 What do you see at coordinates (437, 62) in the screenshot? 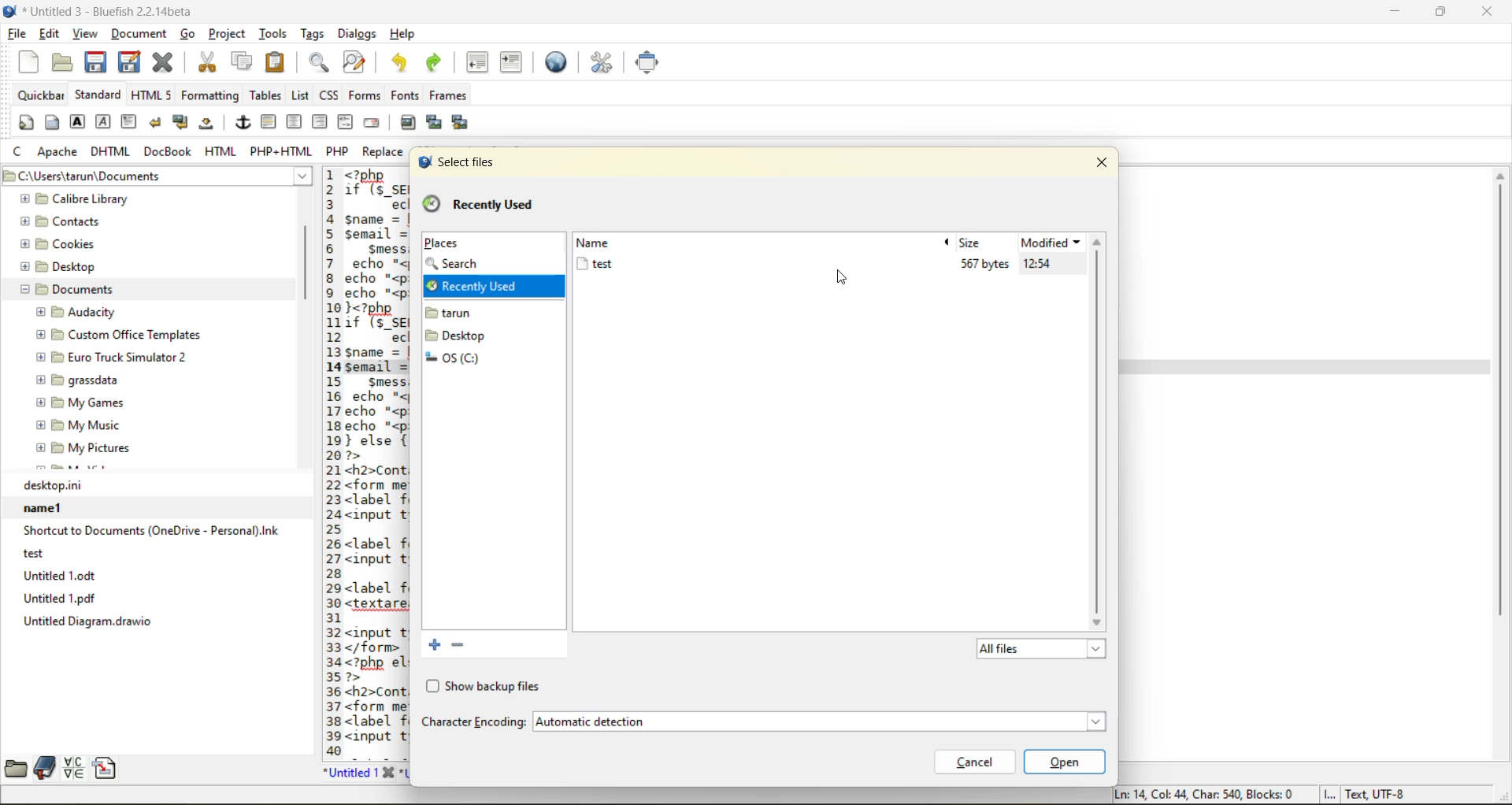
I see `redo` at bounding box center [437, 62].